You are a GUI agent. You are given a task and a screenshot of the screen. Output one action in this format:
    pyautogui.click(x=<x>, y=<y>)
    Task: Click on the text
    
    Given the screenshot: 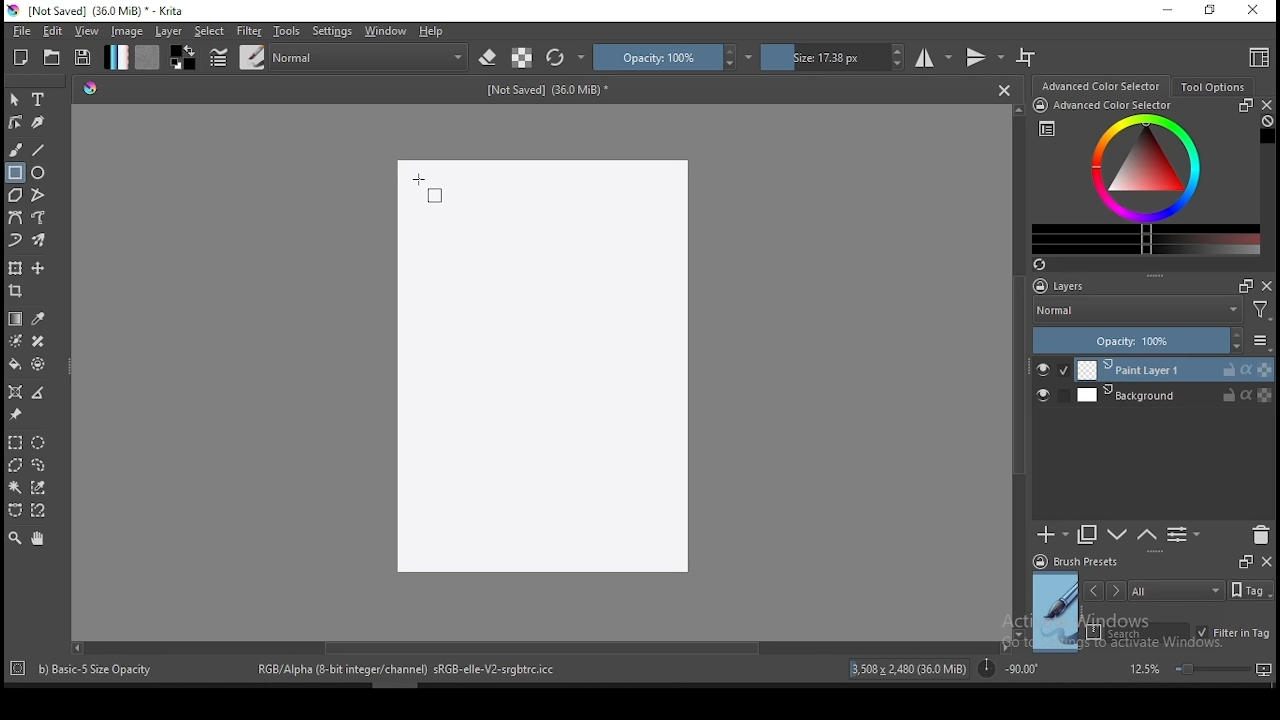 What is the action you would take?
    pyautogui.click(x=411, y=668)
    